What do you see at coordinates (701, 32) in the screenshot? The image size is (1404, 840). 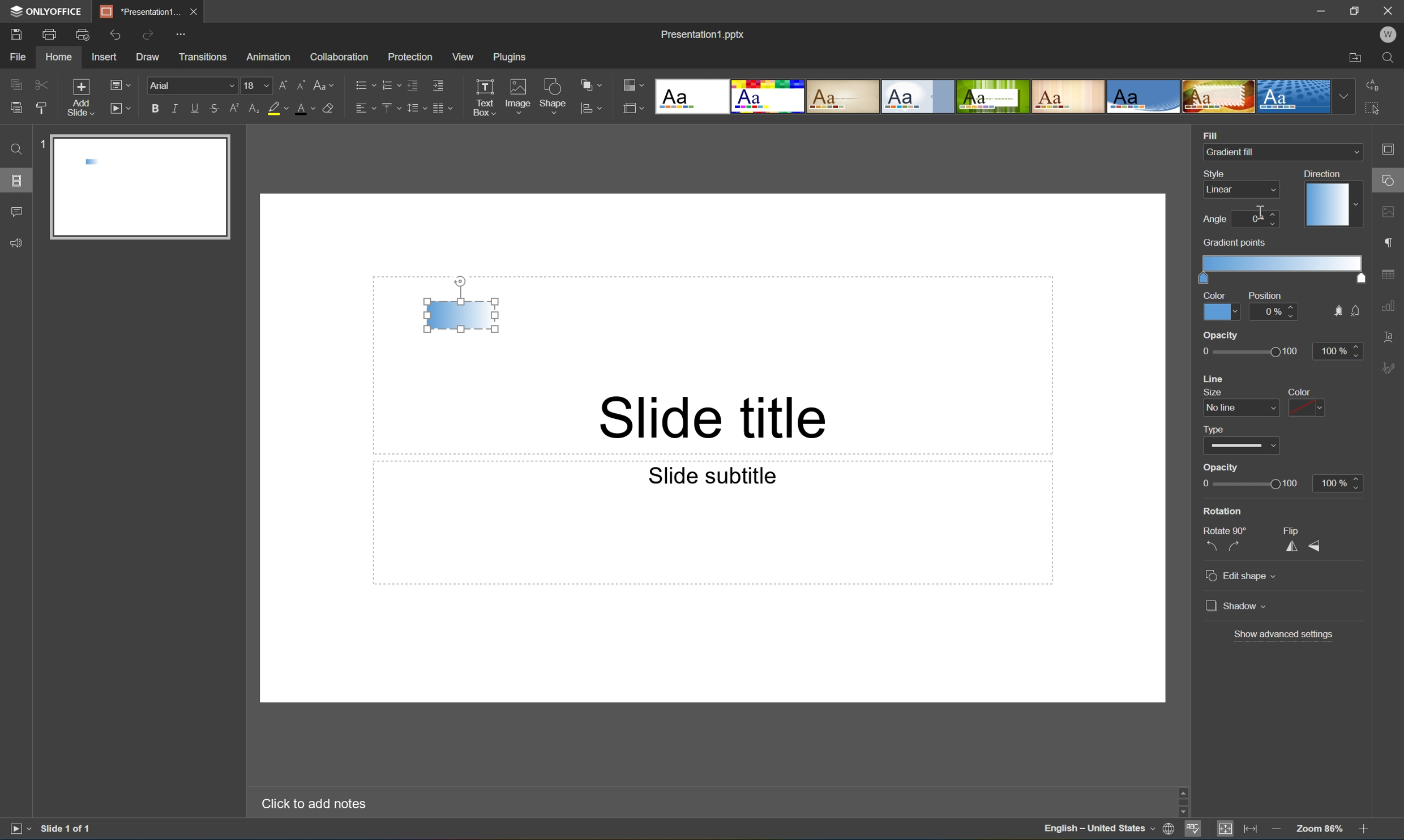 I see `Presentation1.pptx` at bounding box center [701, 32].